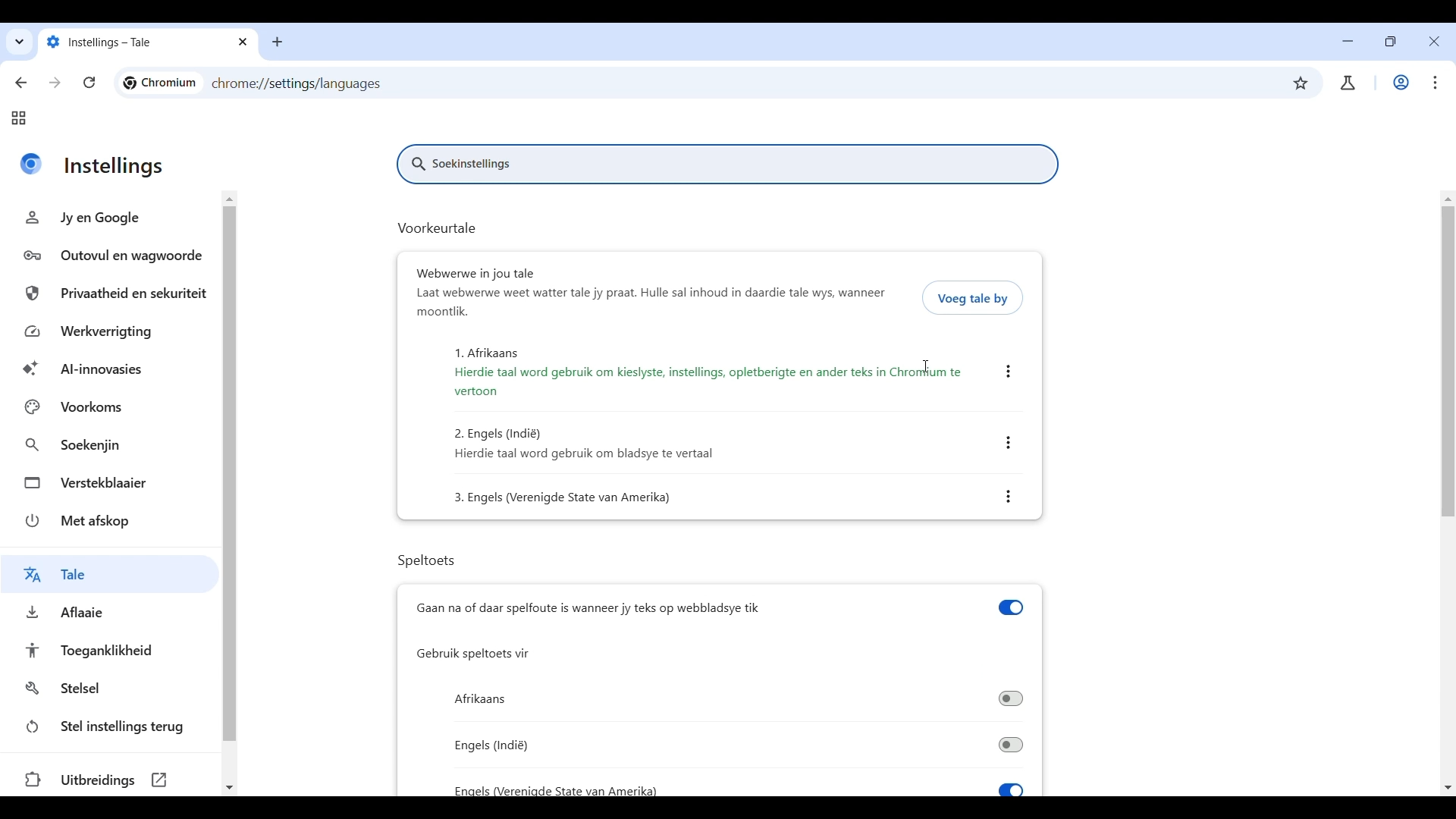 The width and height of the screenshot is (1456, 819). Describe the element at coordinates (120, 295) in the screenshot. I see `Privaatheid en sekuriteit` at that location.